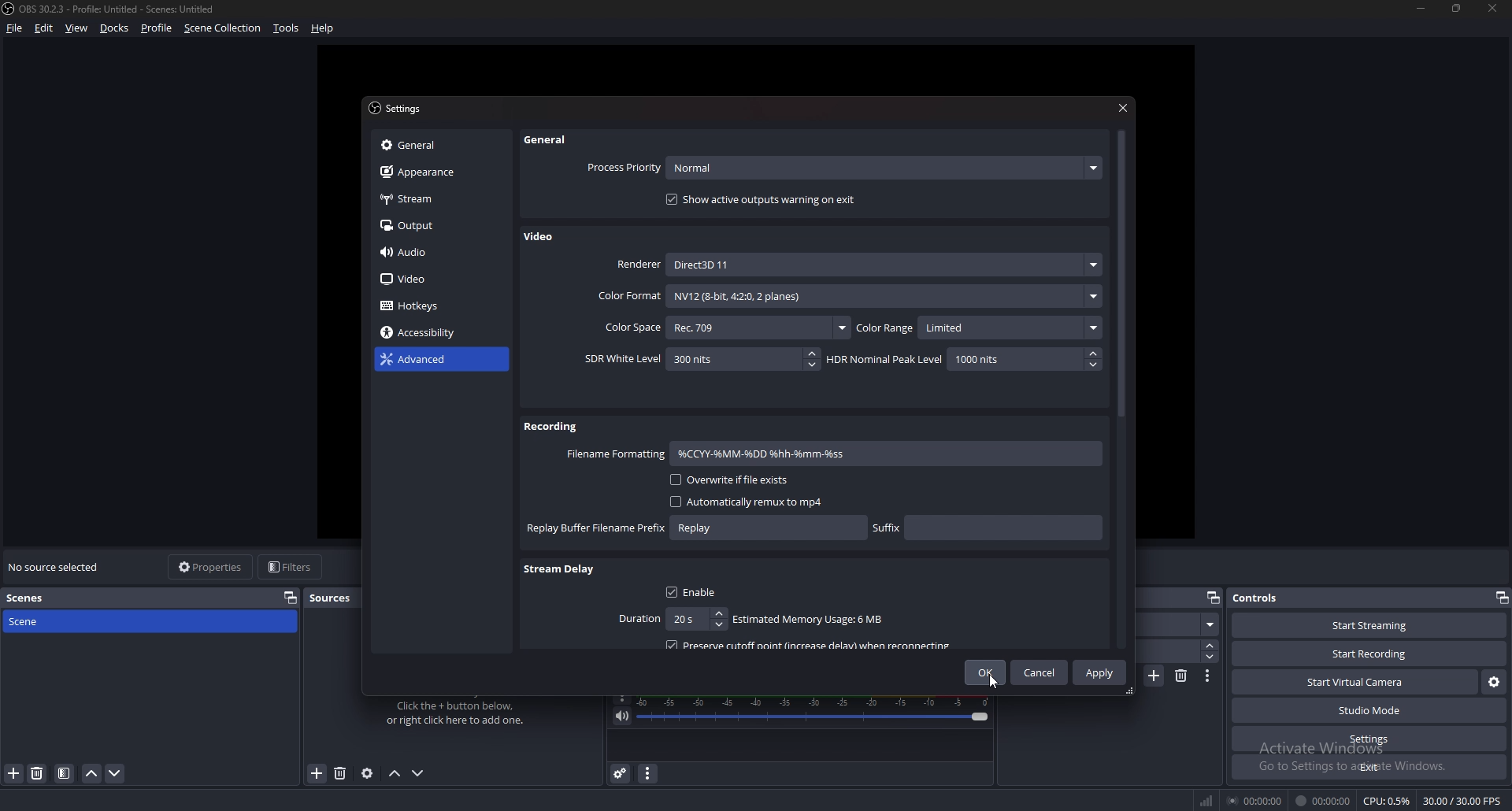 This screenshot has height=811, width=1512. I want to click on Video, so click(541, 238).